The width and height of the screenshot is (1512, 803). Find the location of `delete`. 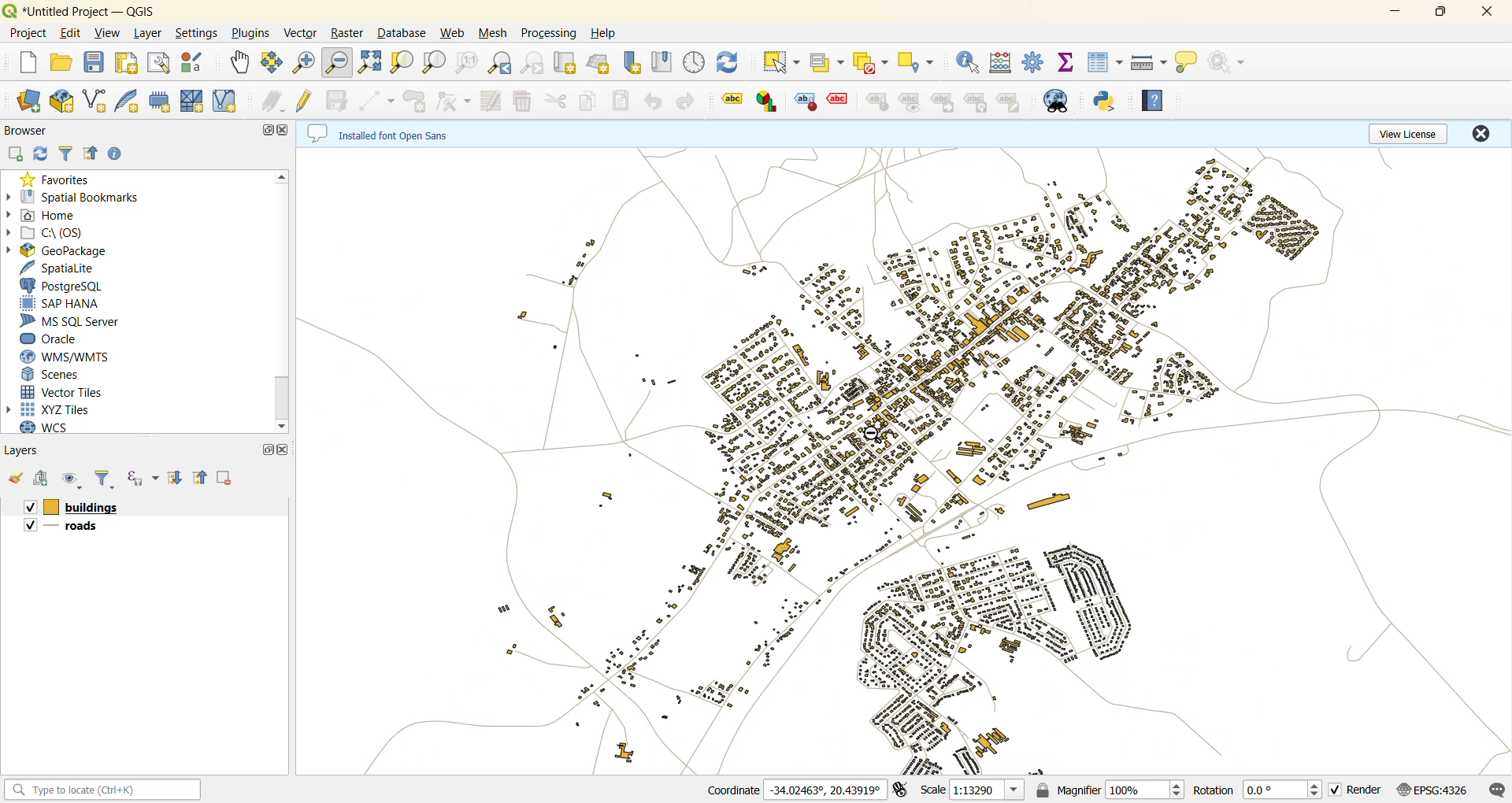

delete is located at coordinates (524, 100).